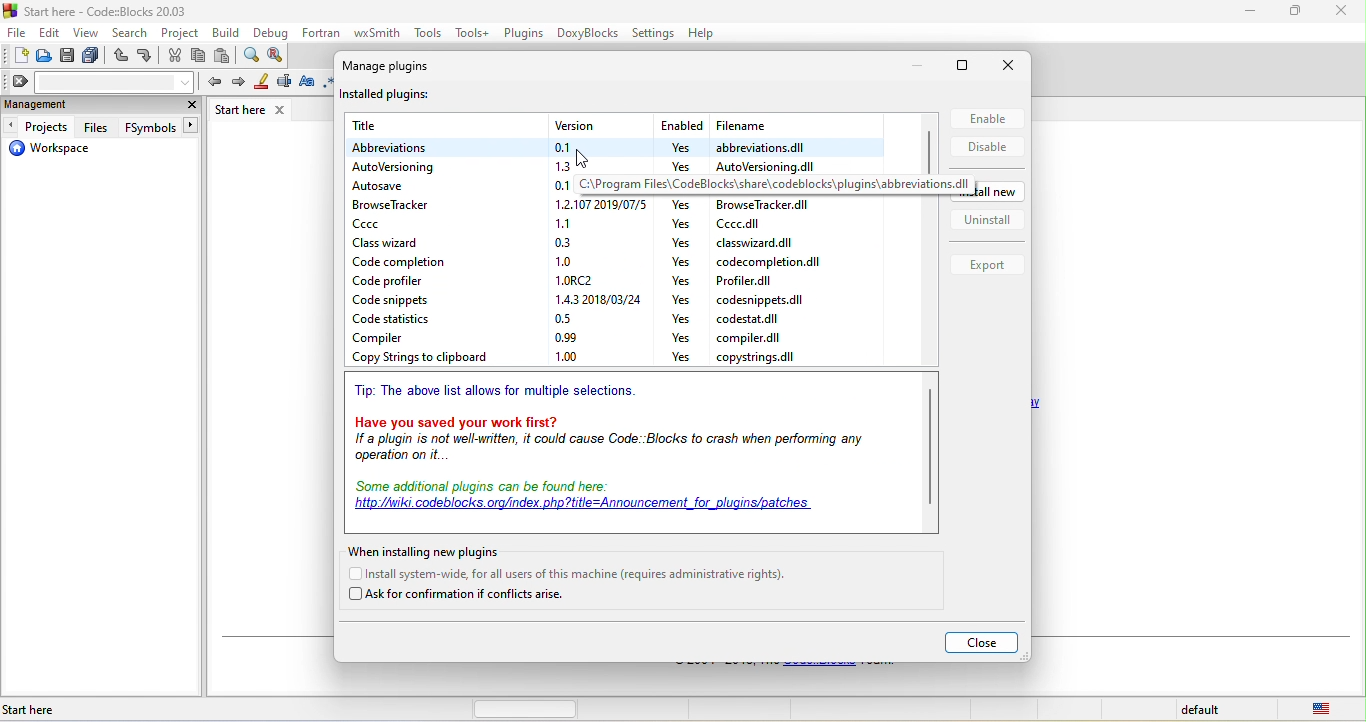 The width and height of the screenshot is (1366, 722). I want to click on enable, so click(989, 119).